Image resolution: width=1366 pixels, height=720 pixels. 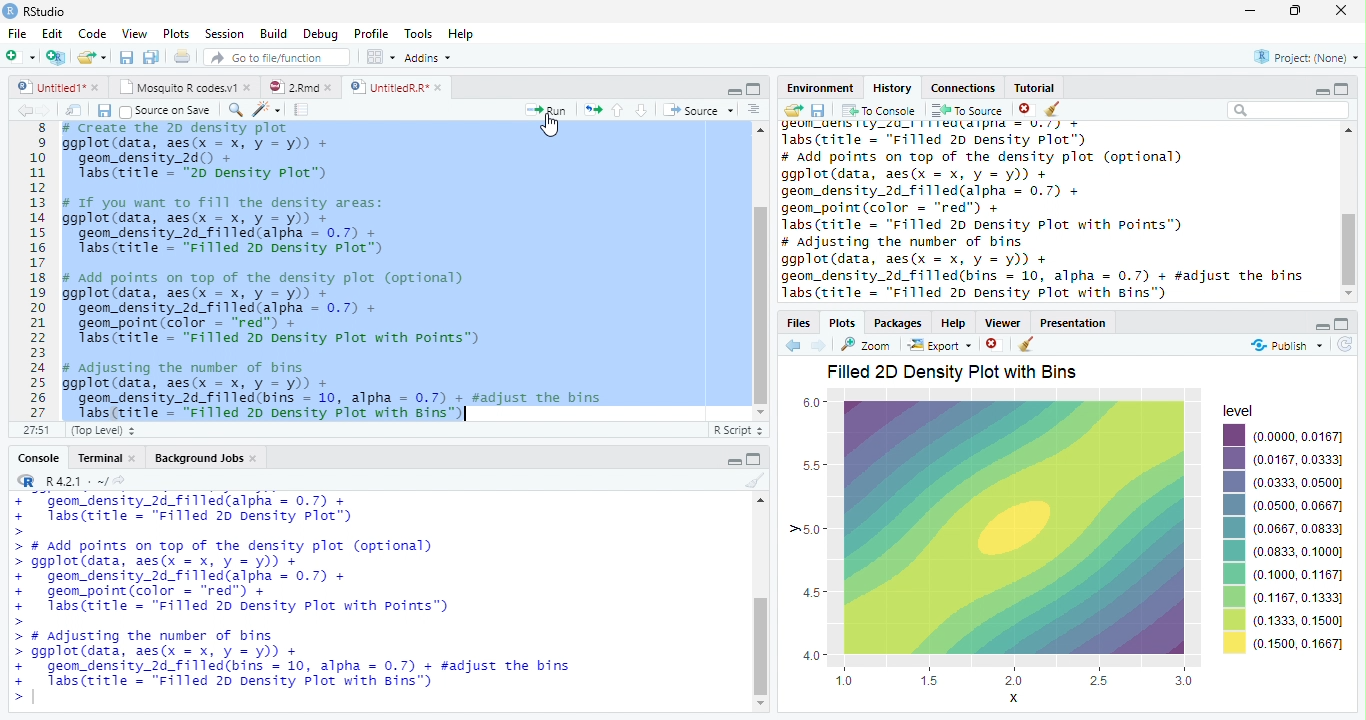 I want to click on Build, so click(x=273, y=33).